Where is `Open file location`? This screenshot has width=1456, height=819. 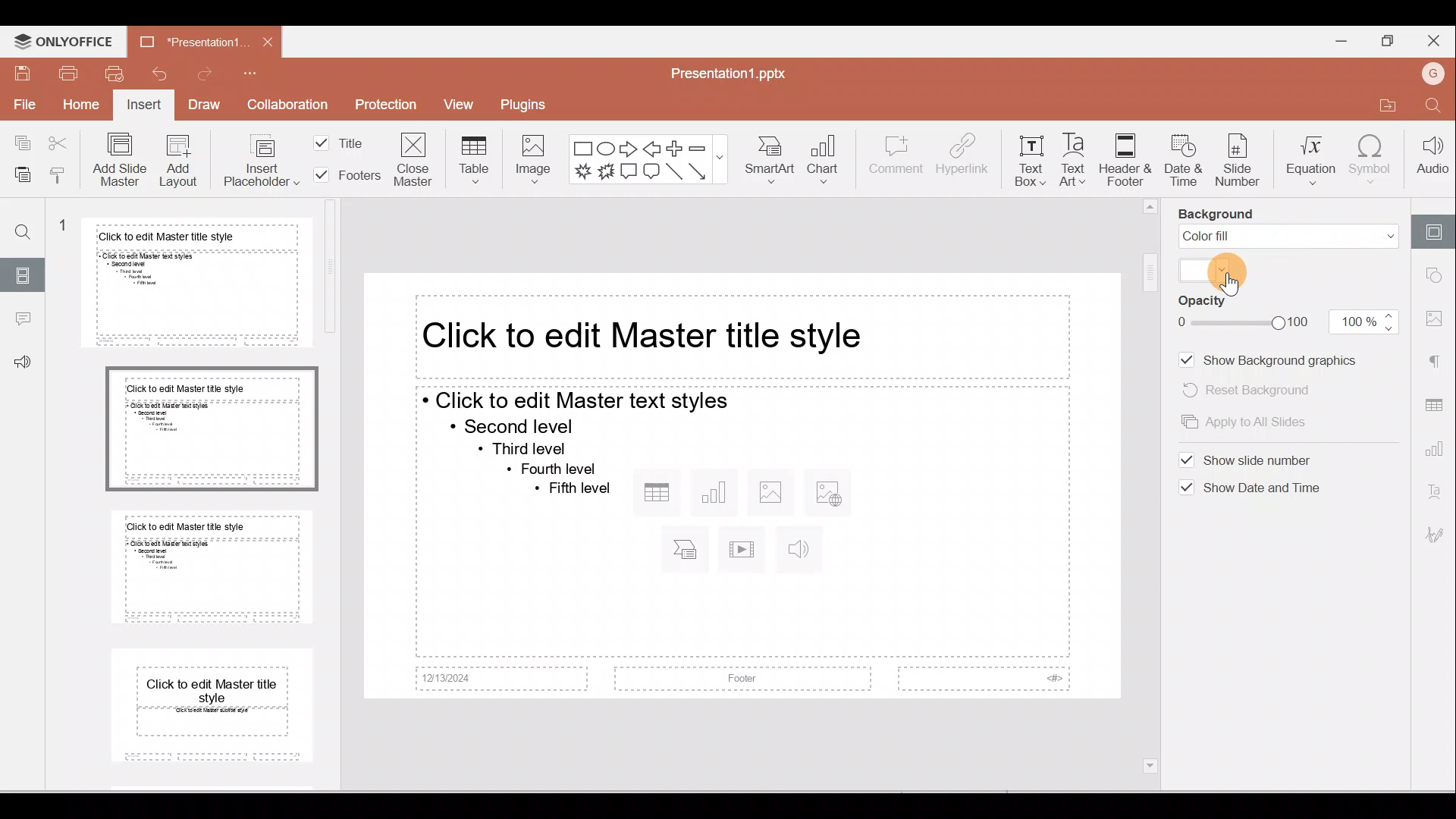
Open file location is located at coordinates (1388, 108).